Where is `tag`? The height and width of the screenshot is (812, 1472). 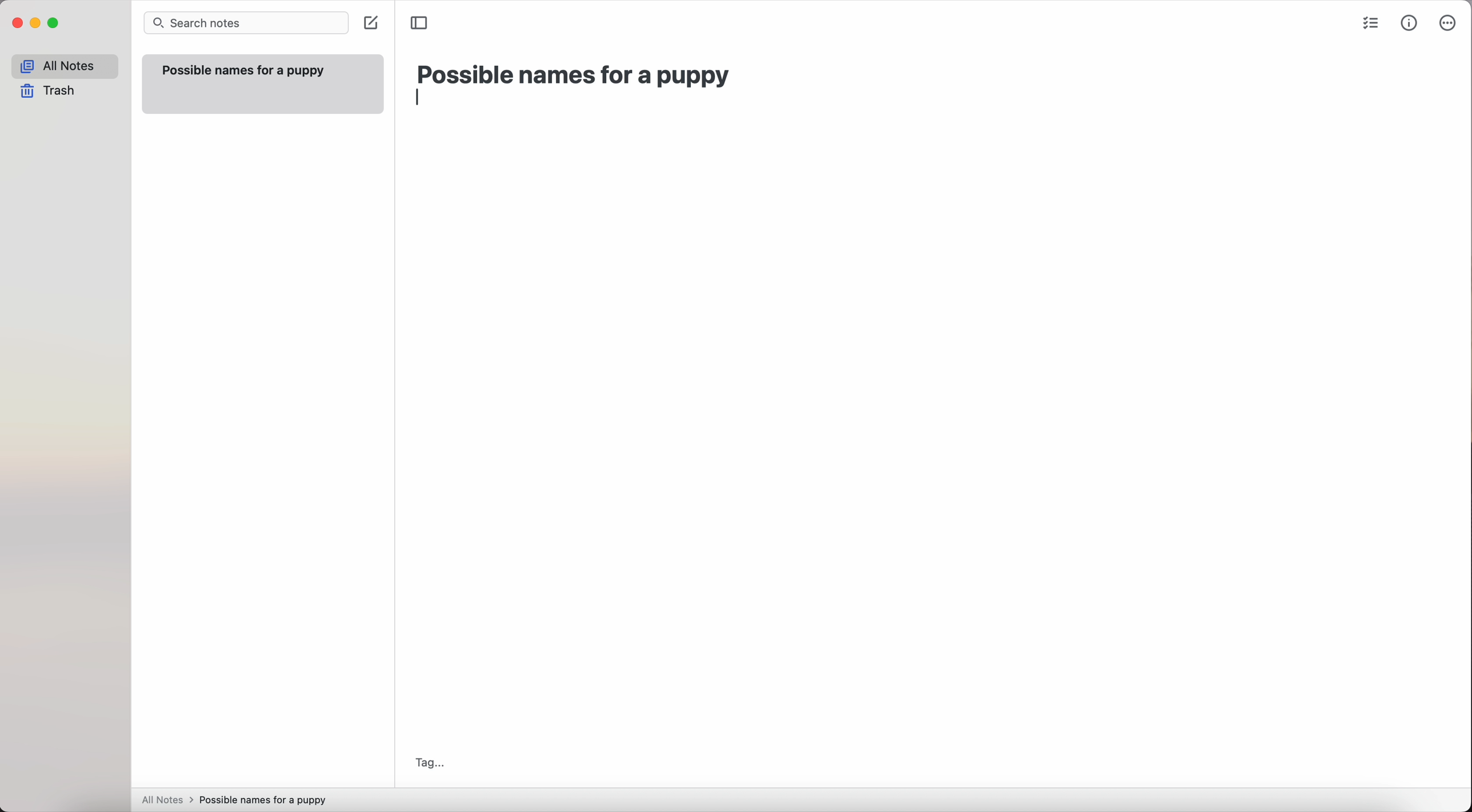
tag is located at coordinates (429, 762).